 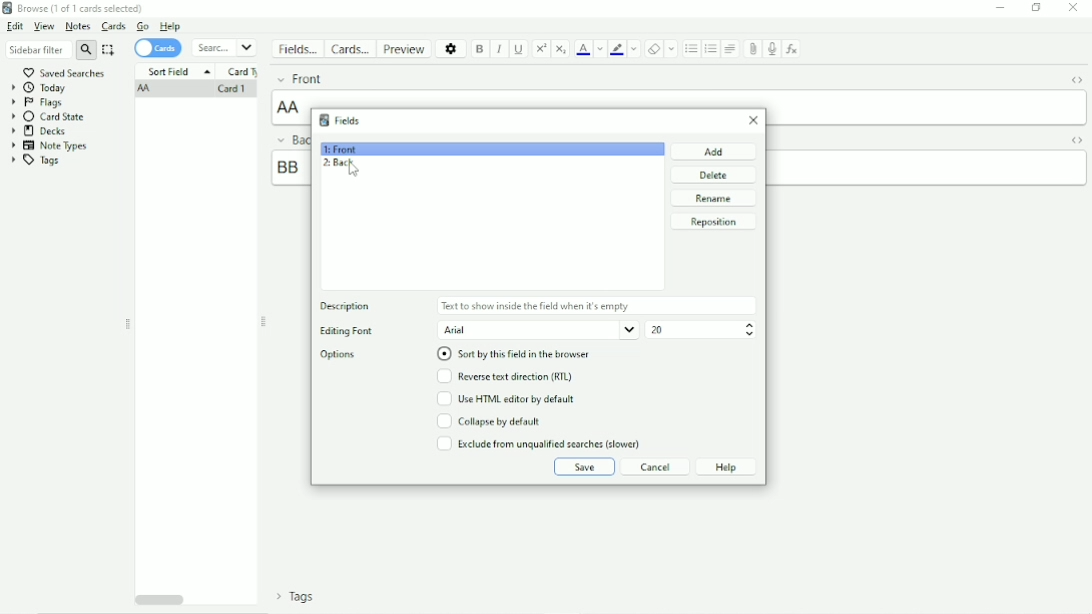 I want to click on Saved Searches, so click(x=66, y=72).